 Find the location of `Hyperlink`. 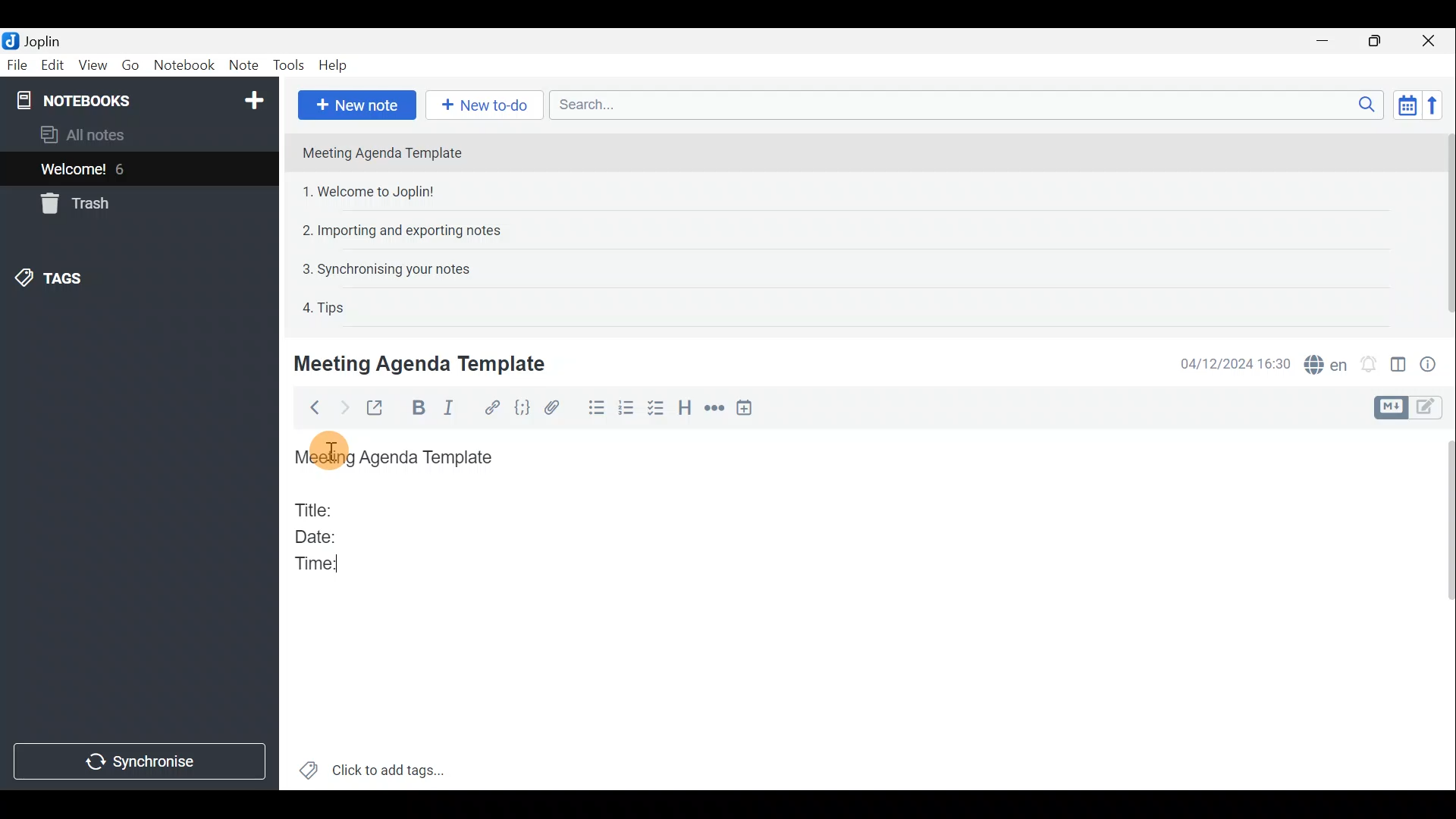

Hyperlink is located at coordinates (494, 407).